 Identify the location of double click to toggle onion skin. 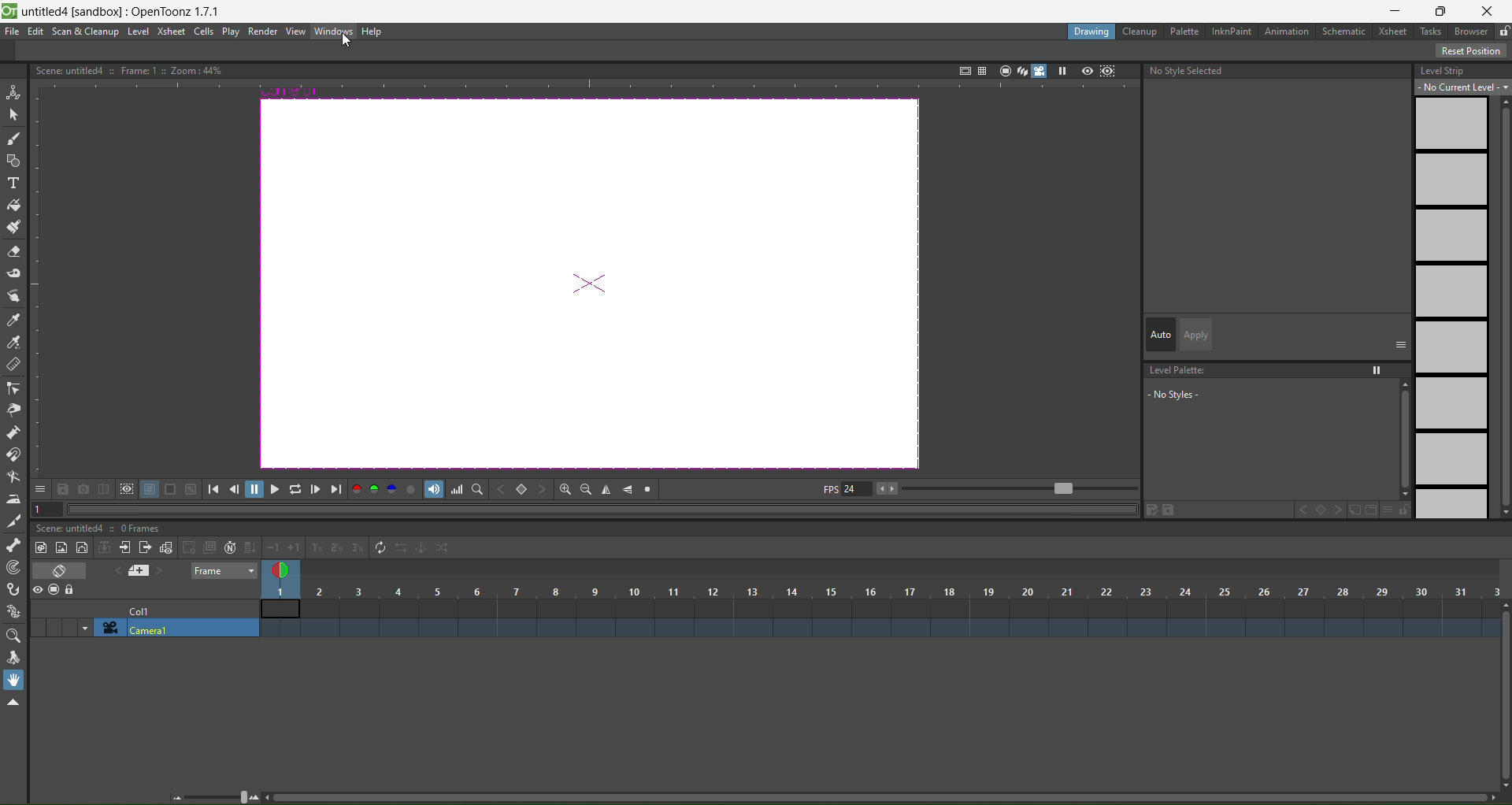
(286, 568).